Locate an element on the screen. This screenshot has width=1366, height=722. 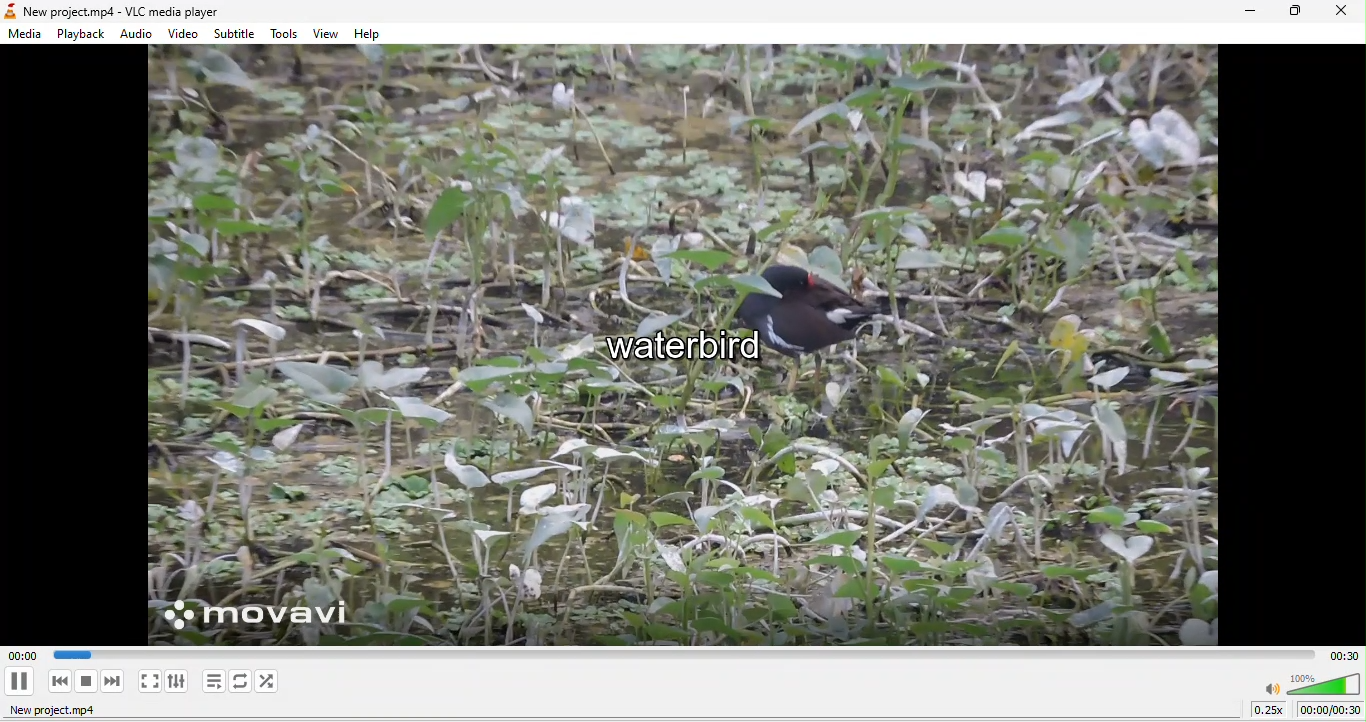
view is located at coordinates (327, 33).